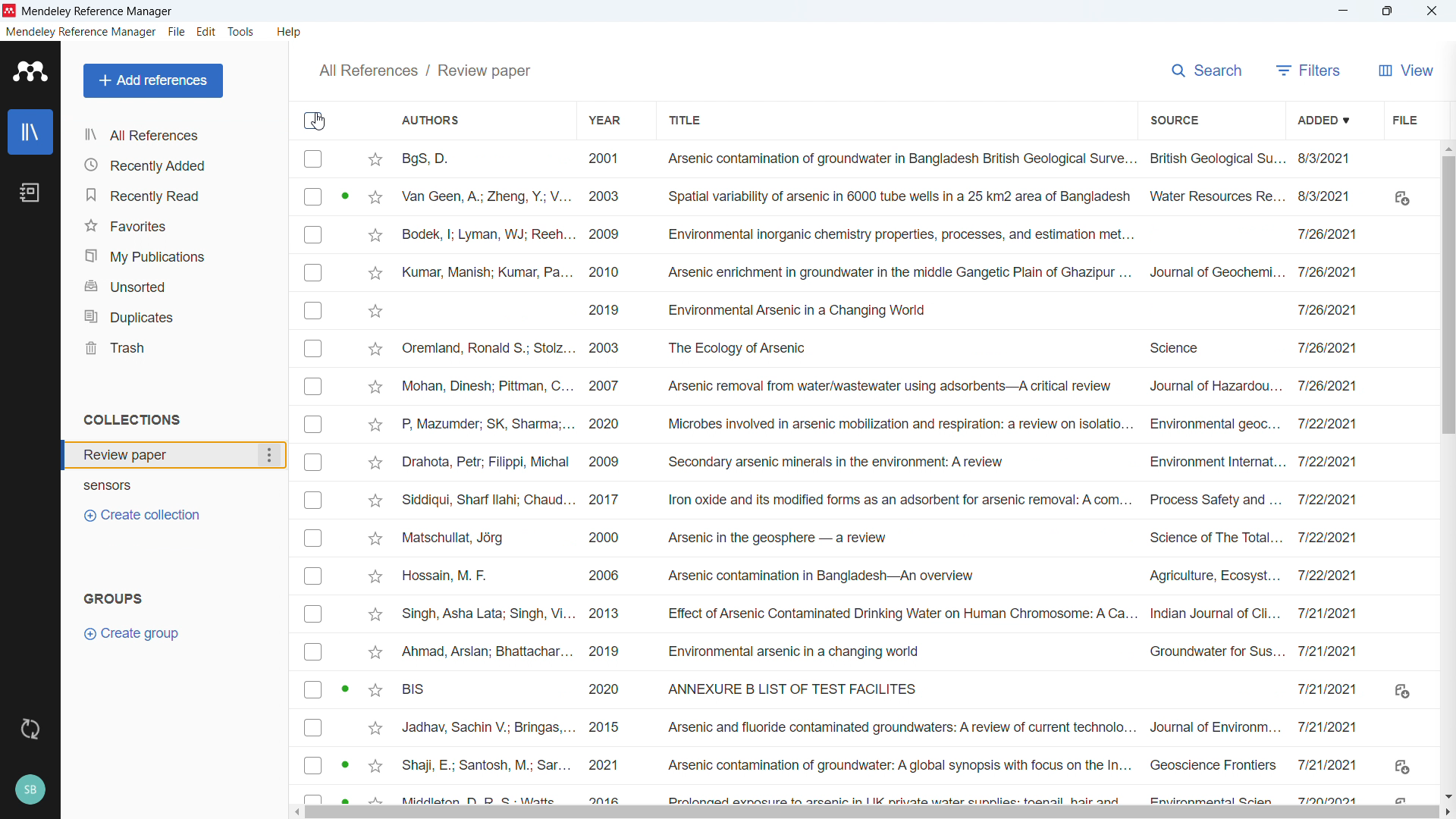 The width and height of the screenshot is (1456, 819). I want to click on Lotfikatouli, Sarah; Hadi, P... 2021 Enhanced anti-fouling performance in Membrane Bioreactors using a novel c... Separation and Purif... 10/28/2024, so click(883, 234).